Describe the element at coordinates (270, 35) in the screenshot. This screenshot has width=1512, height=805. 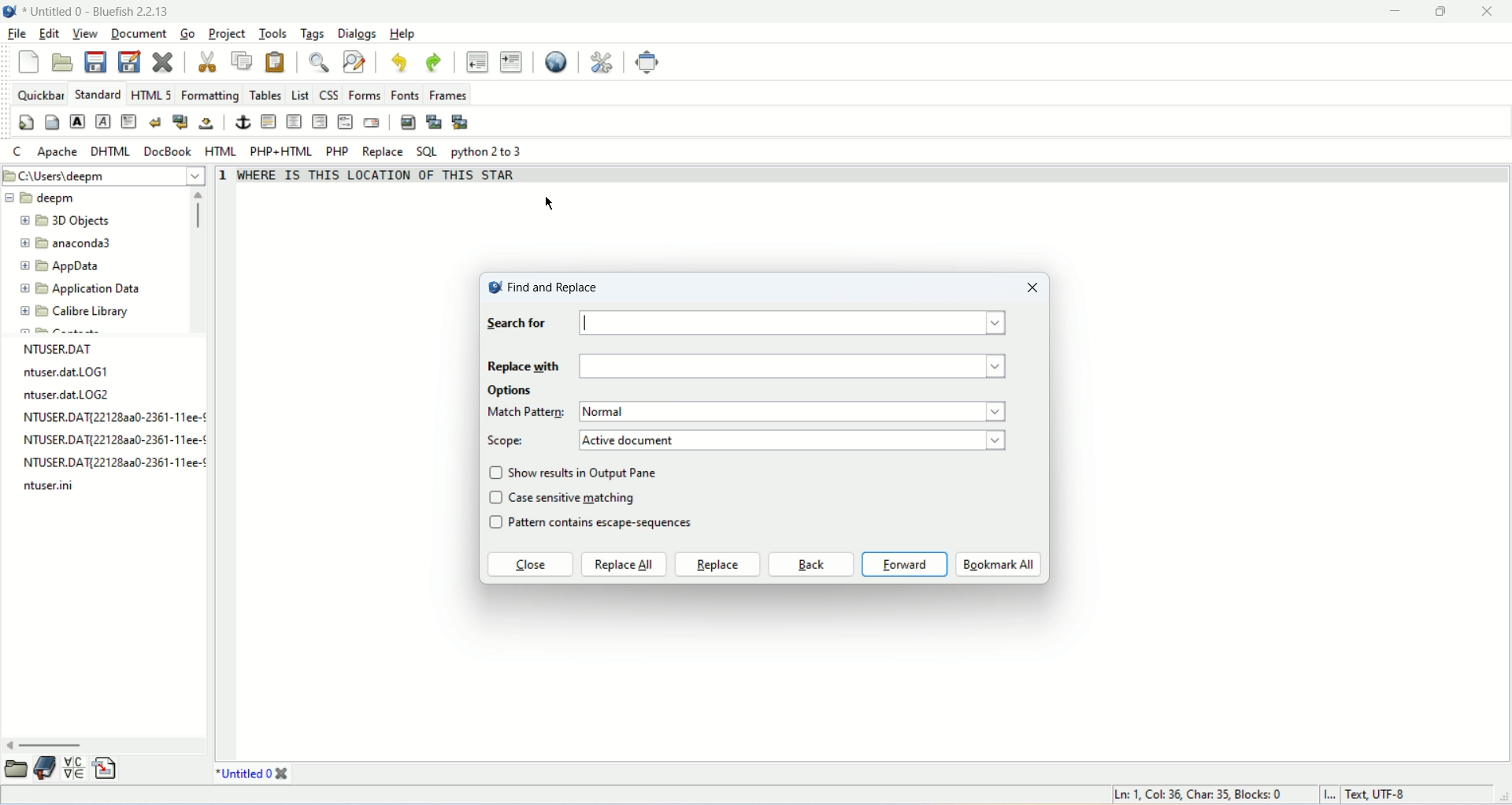
I see `tools` at that location.